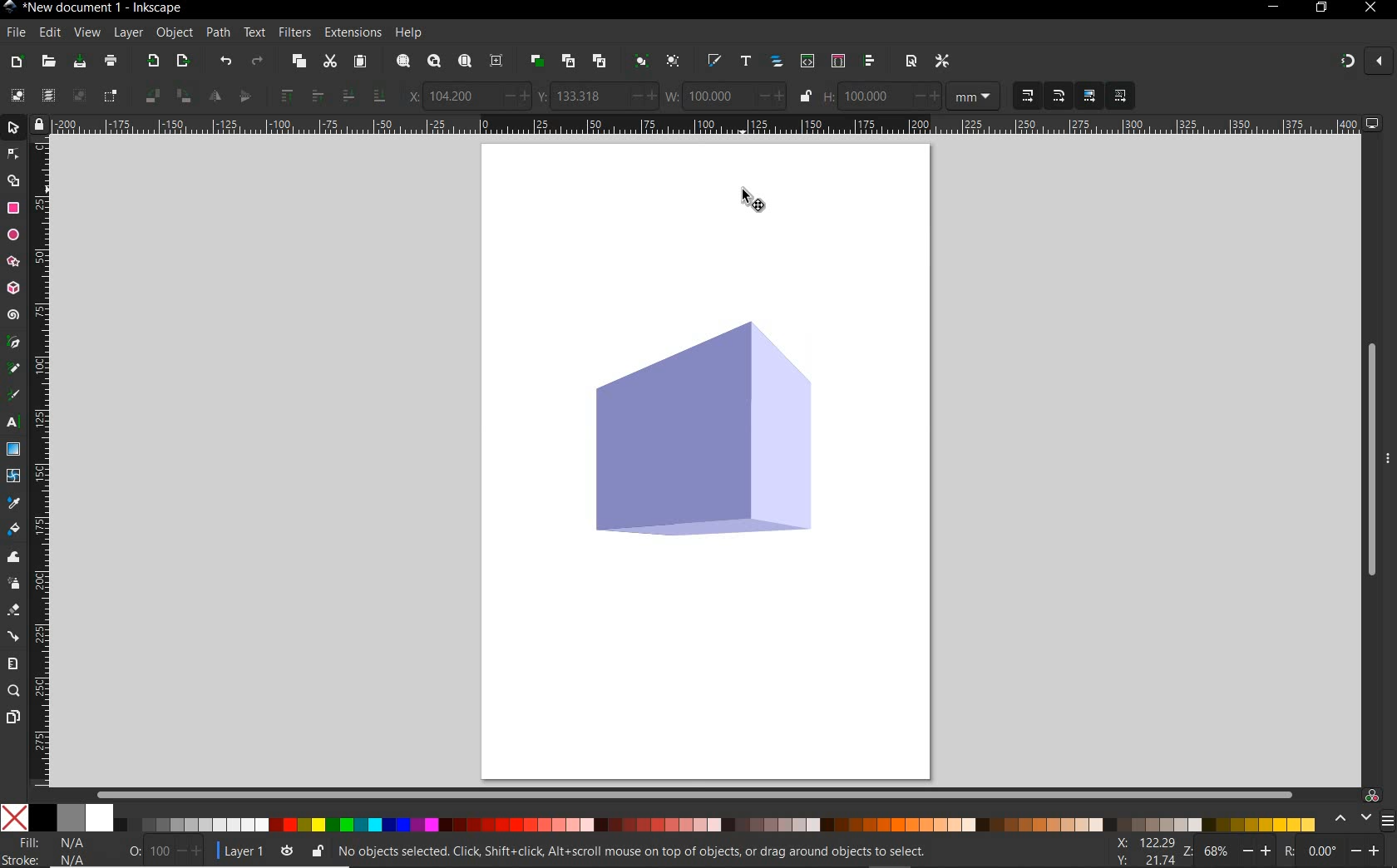  I want to click on shape builder tool, so click(16, 181).